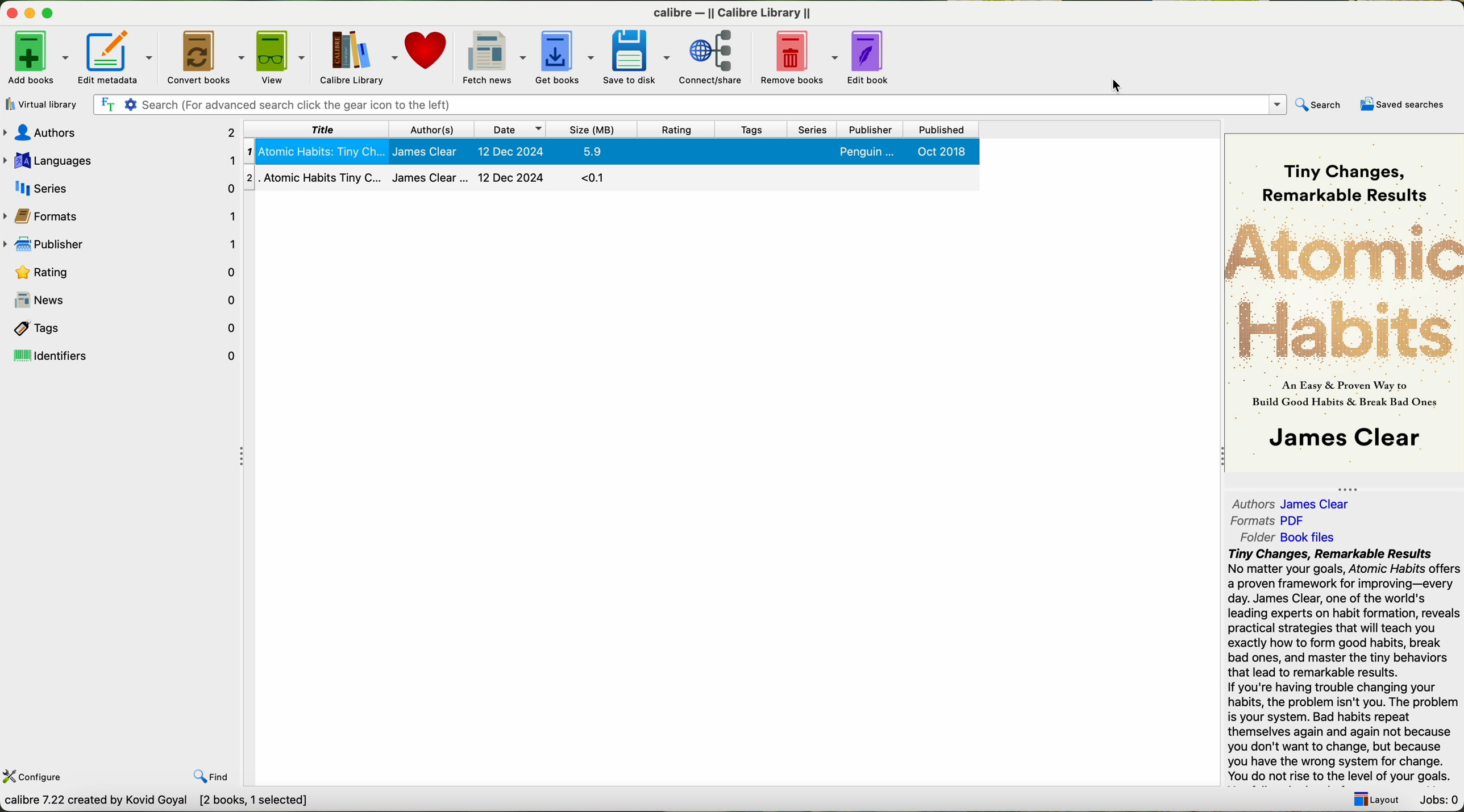 Image resolution: width=1464 pixels, height=812 pixels. What do you see at coordinates (936, 128) in the screenshot?
I see `published` at bounding box center [936, 128].